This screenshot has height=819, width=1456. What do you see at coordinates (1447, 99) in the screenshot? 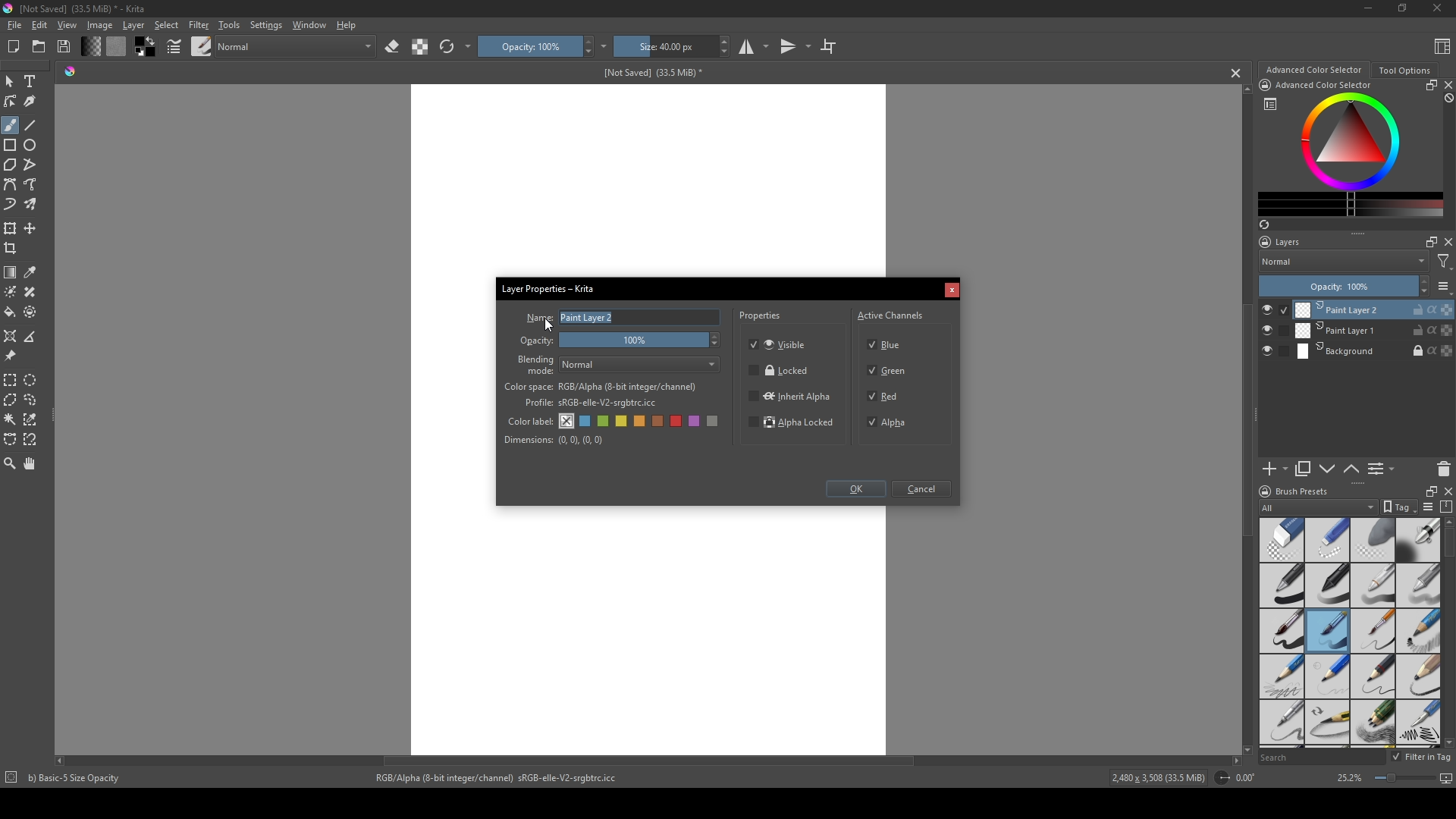
I see `block` at bounding box center [1447, 99].